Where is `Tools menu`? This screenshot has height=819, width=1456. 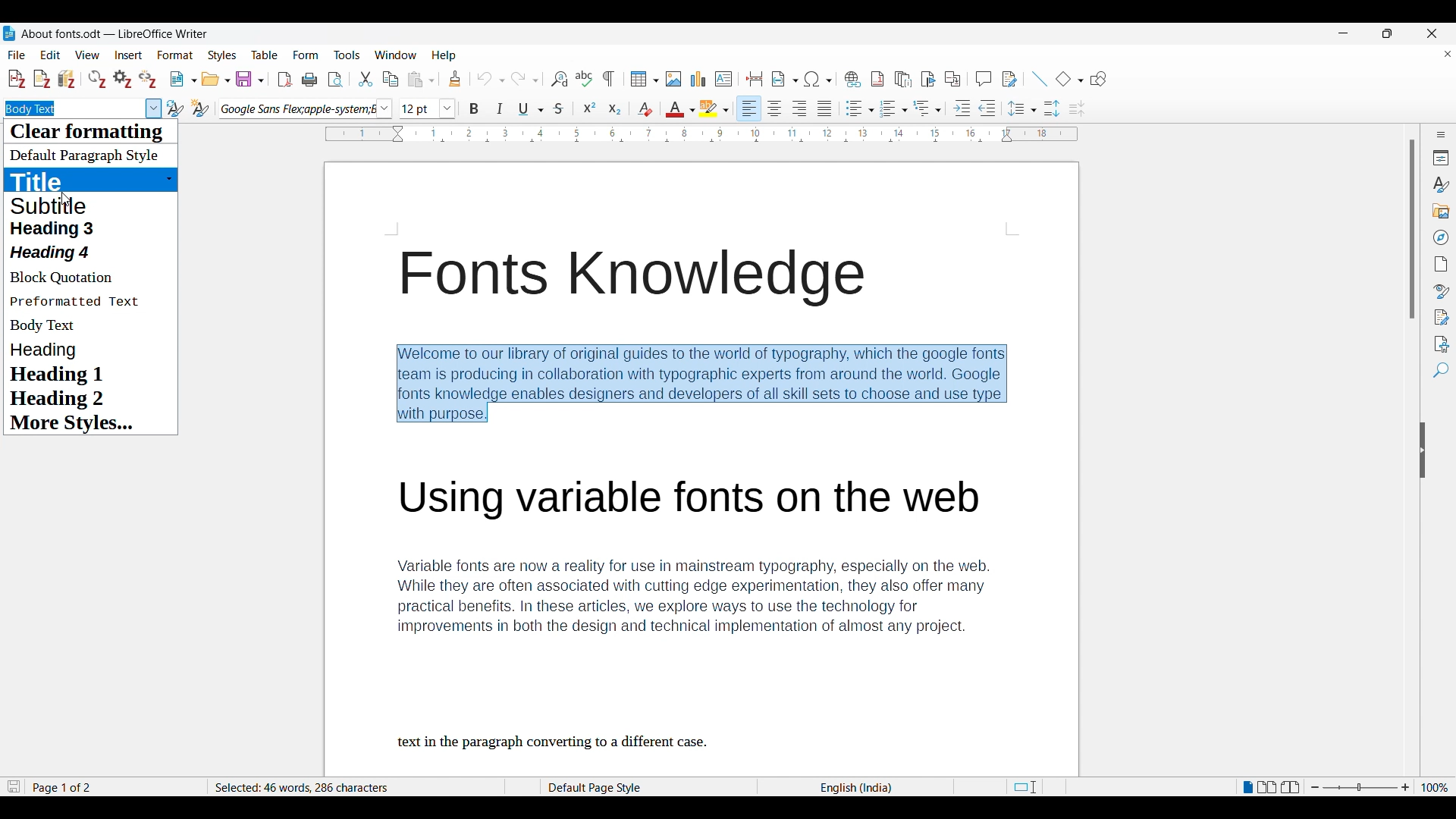
Tools menu is located at coordinates (347, 55).